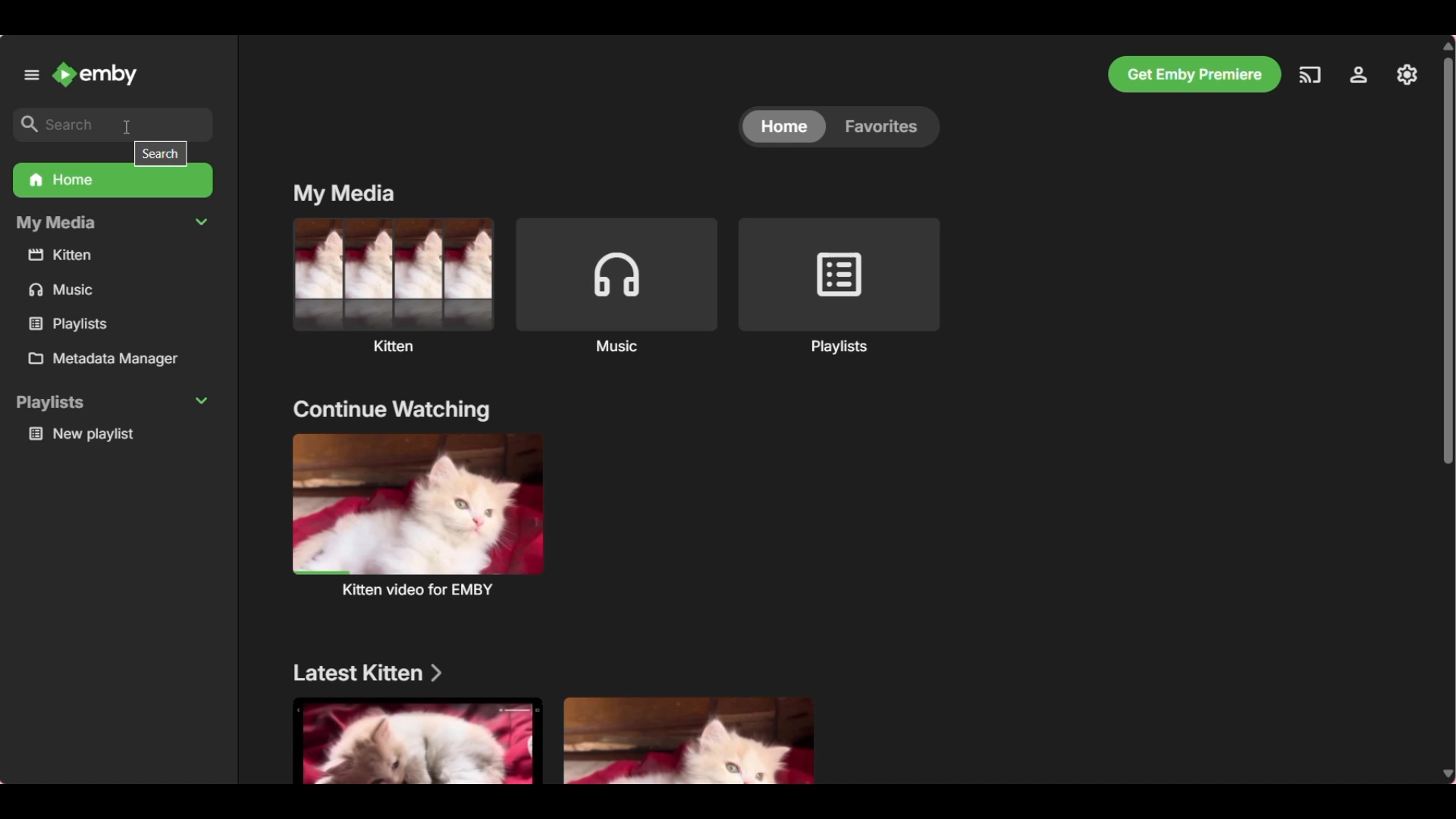 This screenshot has width=1456, height=819. Describe the element at coordinates (118, 434) in the screenshot. I see `New playlist` at that location.